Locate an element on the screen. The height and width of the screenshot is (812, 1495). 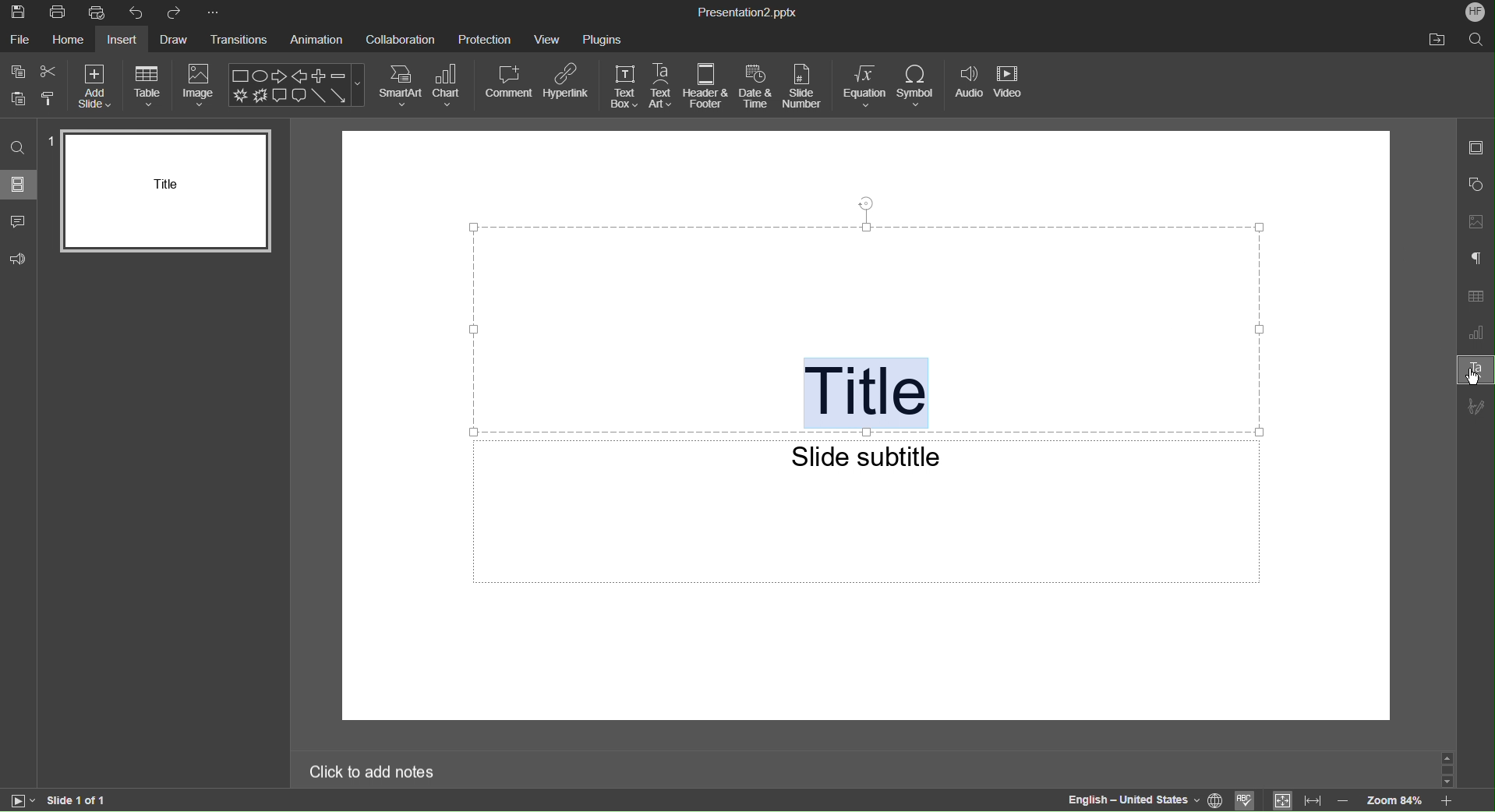
Click to add notes is located at coordinates (372, 773).